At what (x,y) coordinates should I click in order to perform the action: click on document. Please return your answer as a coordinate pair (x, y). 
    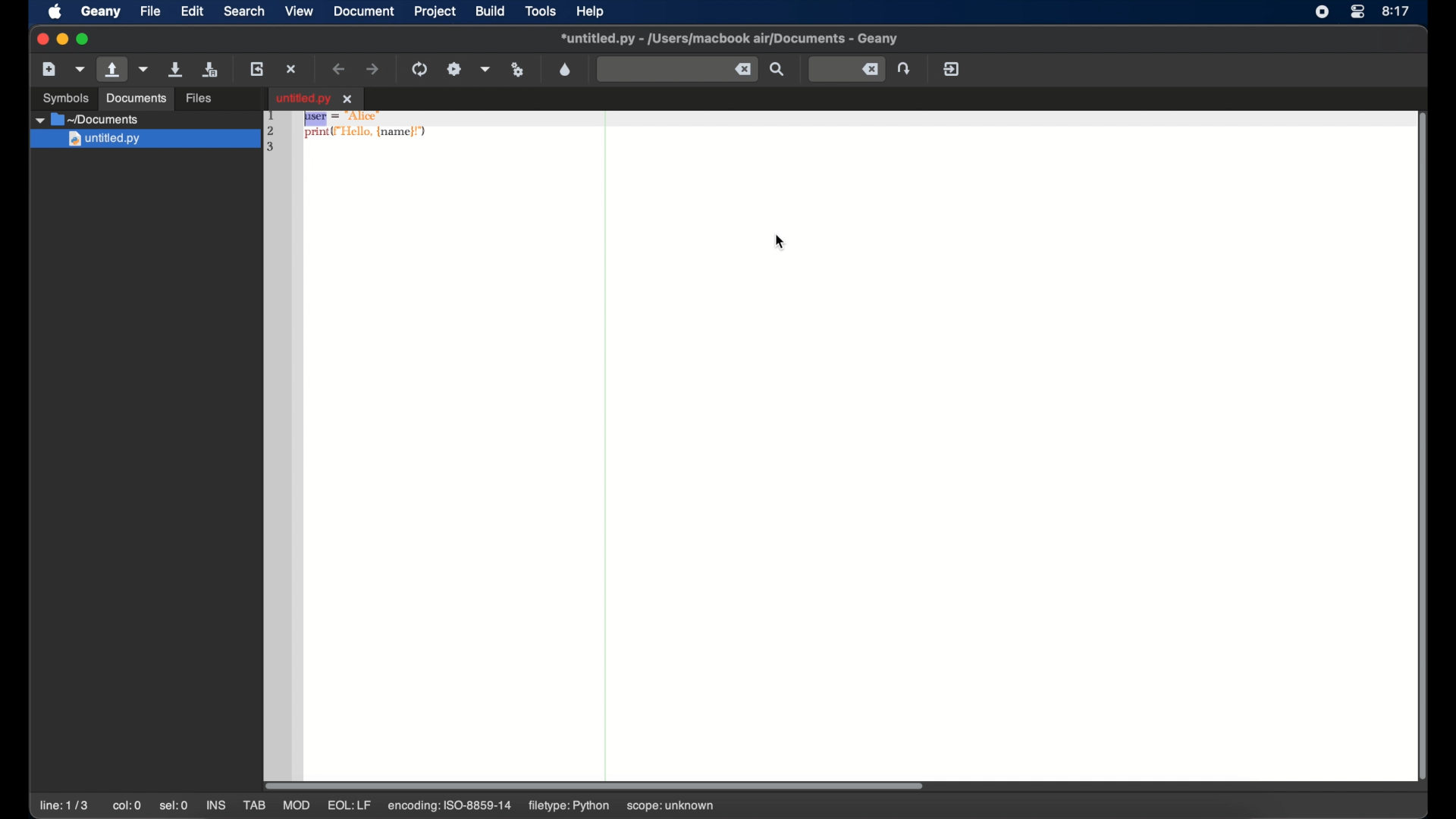
    Looking at the image, I should click on (363, 11).